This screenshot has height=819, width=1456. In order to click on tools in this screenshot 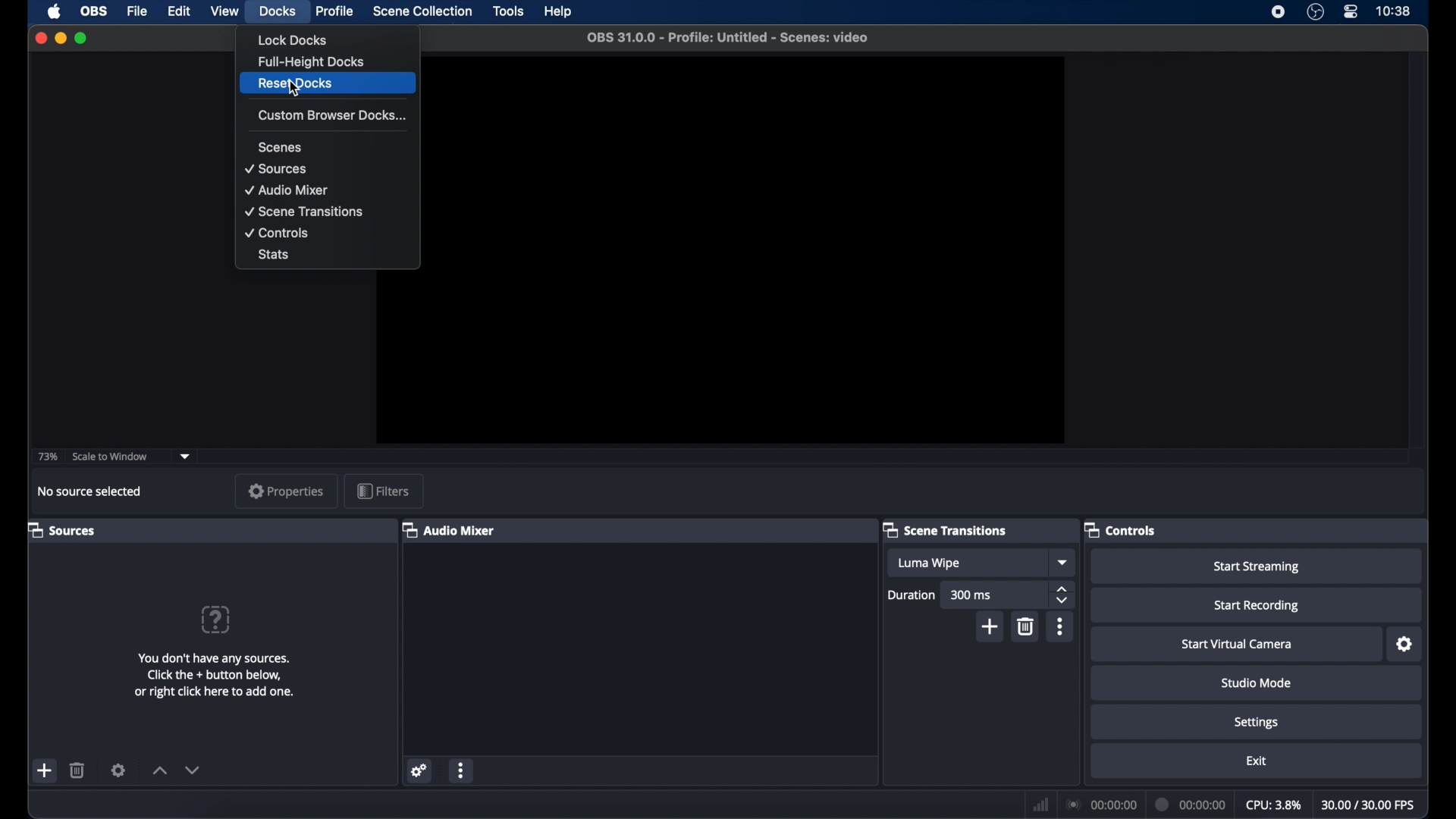, I will do `click(509, 11)`.